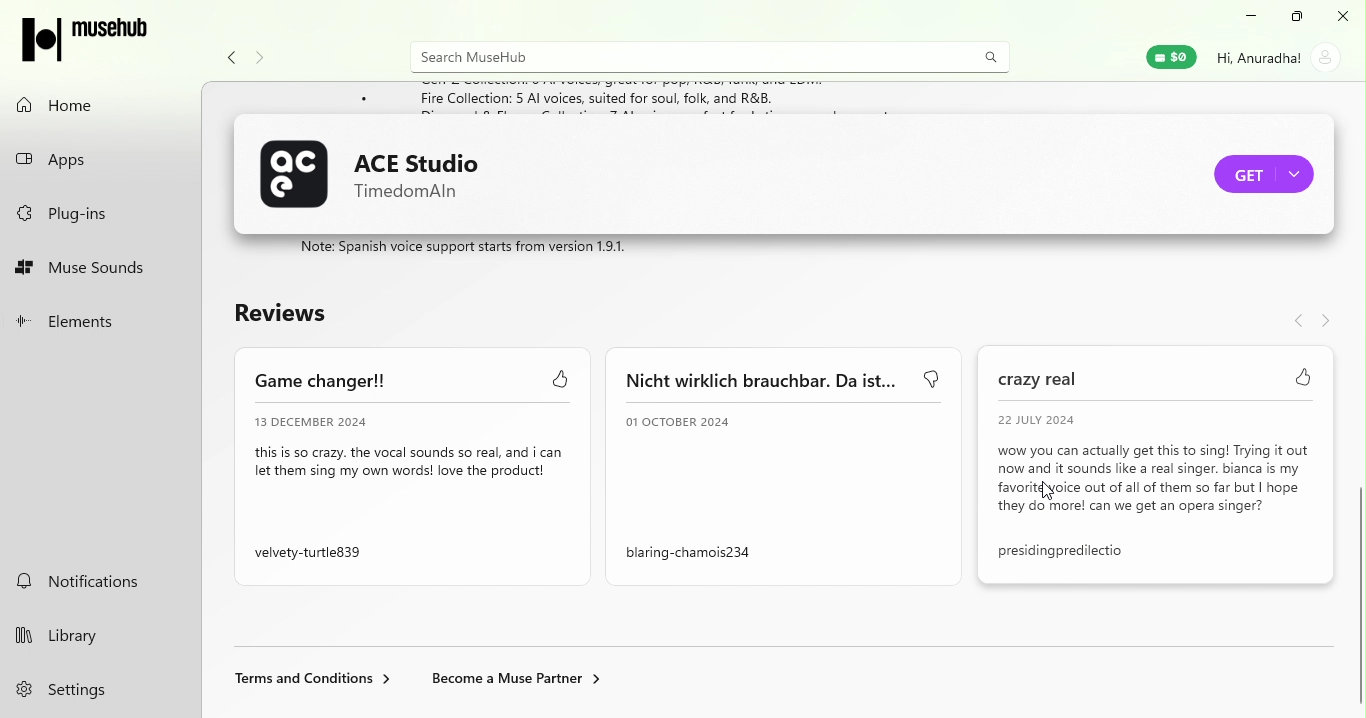  What do you see at coordinates (291, 100) in the screenshot?
I see `Description` at bounding box center [291, 100].